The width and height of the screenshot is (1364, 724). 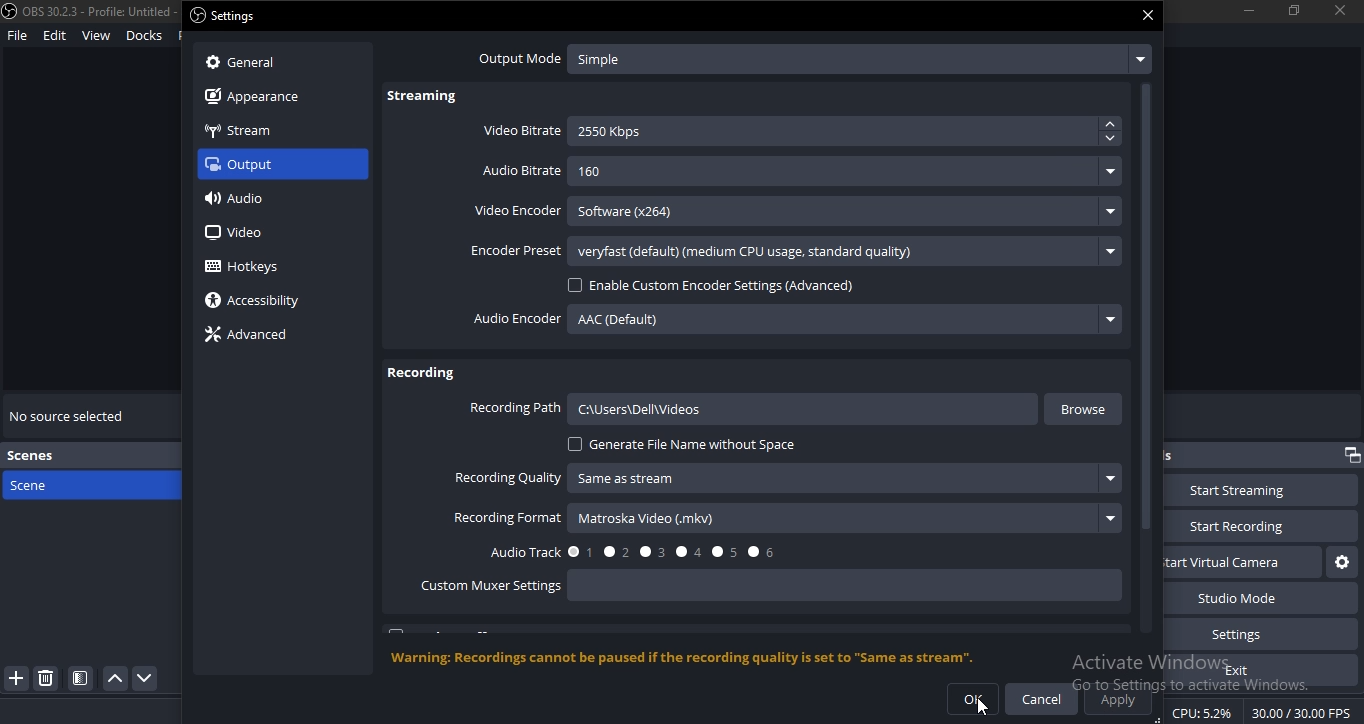 What do you see at coordinates (234, 231) in the screenshot?
I see `video` at bounding box center [234, 231].